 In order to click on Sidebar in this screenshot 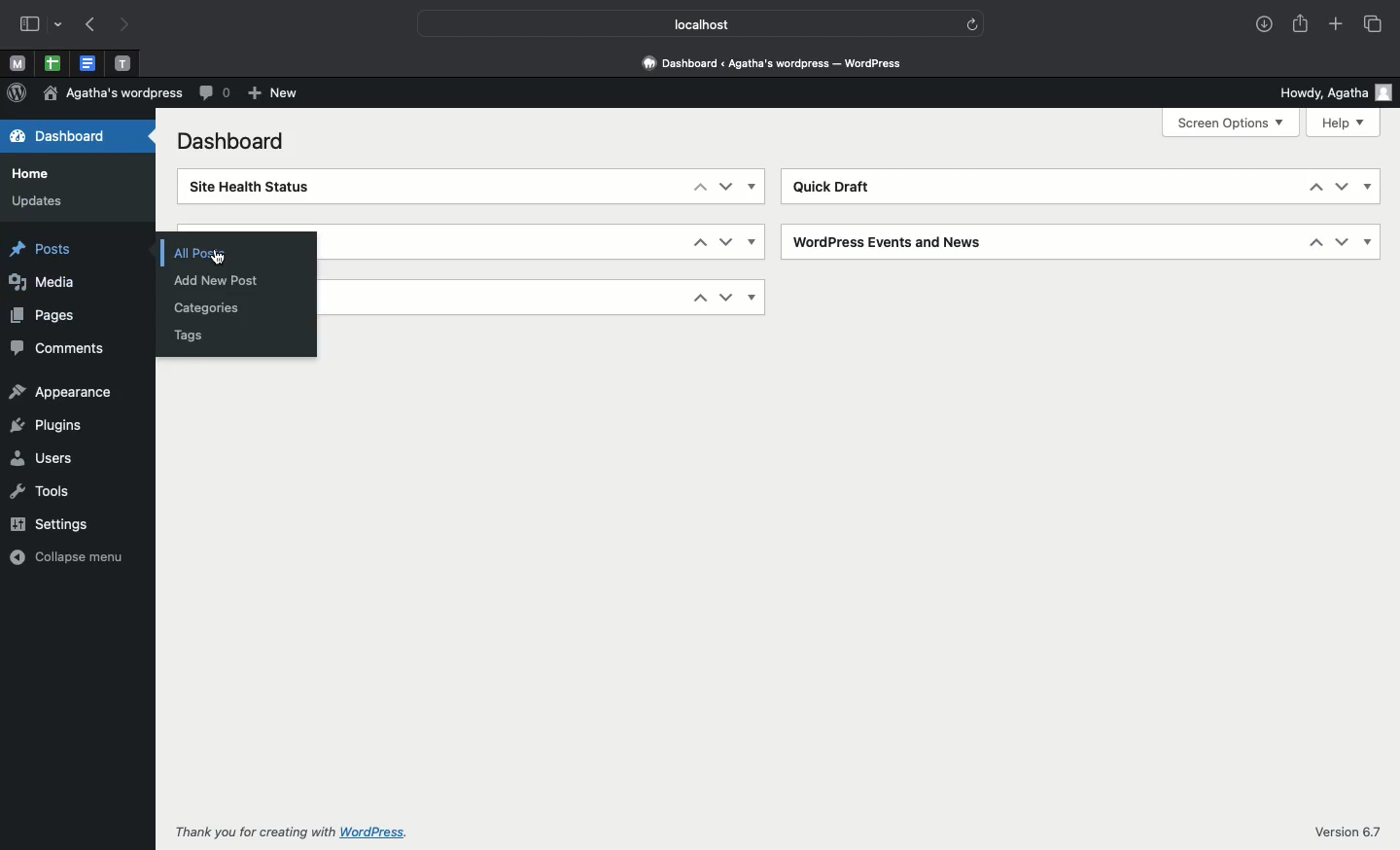, I will do `click(28, 23)`.